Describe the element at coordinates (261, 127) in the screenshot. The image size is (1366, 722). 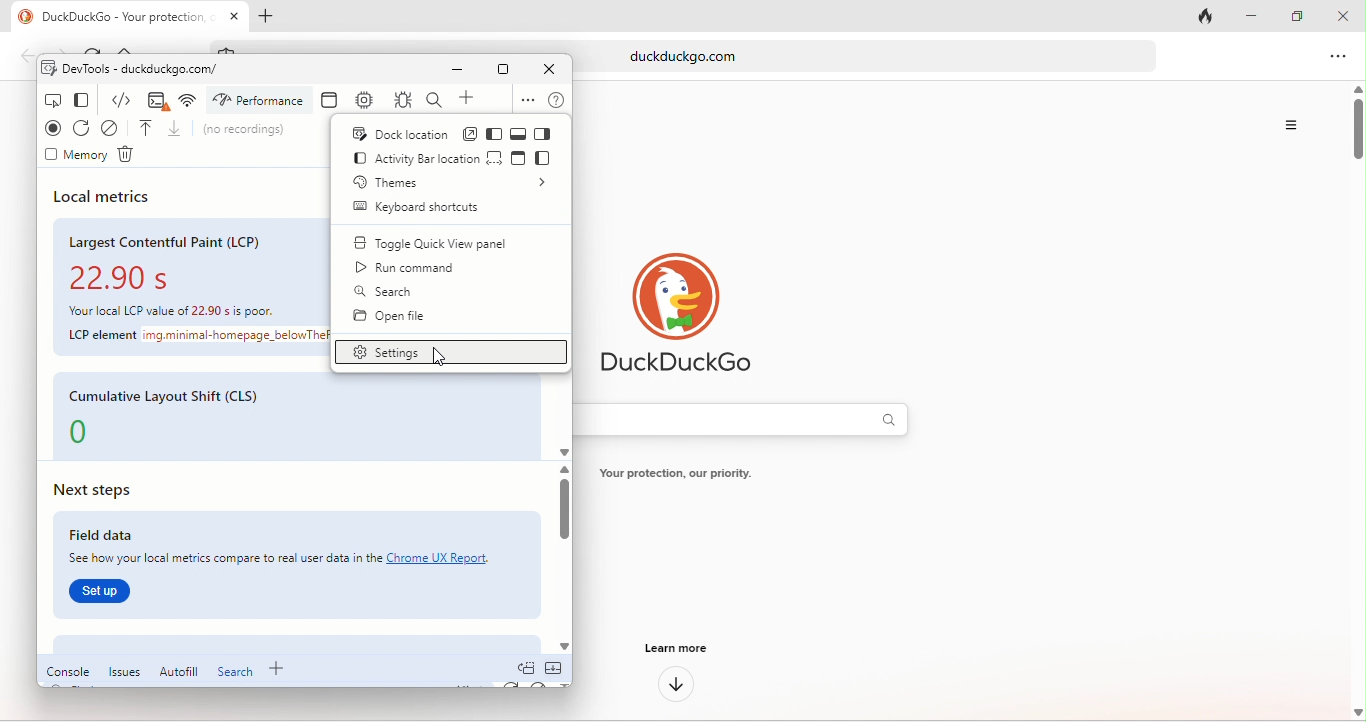
I see `no recordings` at that location.